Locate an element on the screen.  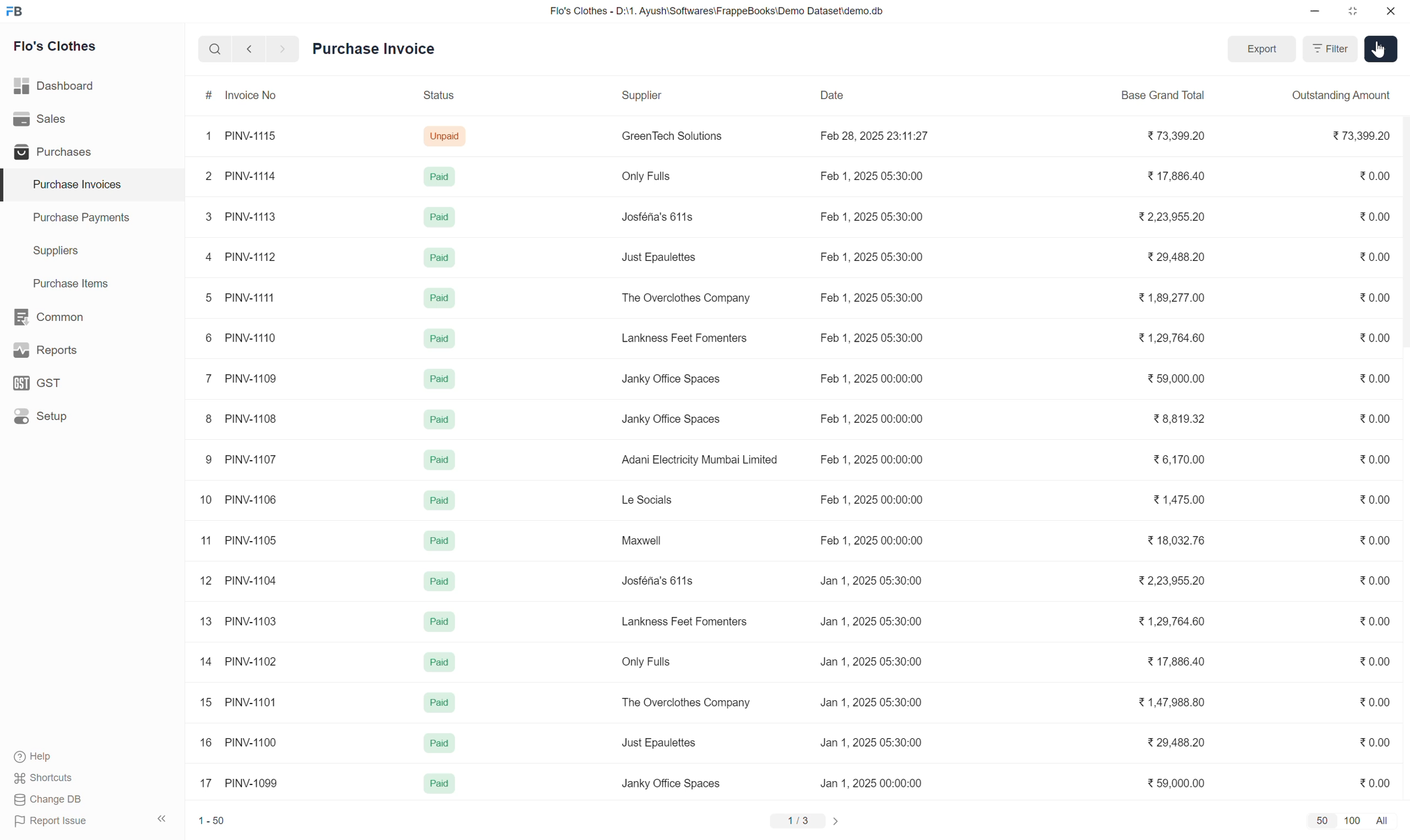
2,23,955.20 is located at coordinates (1182, 581).